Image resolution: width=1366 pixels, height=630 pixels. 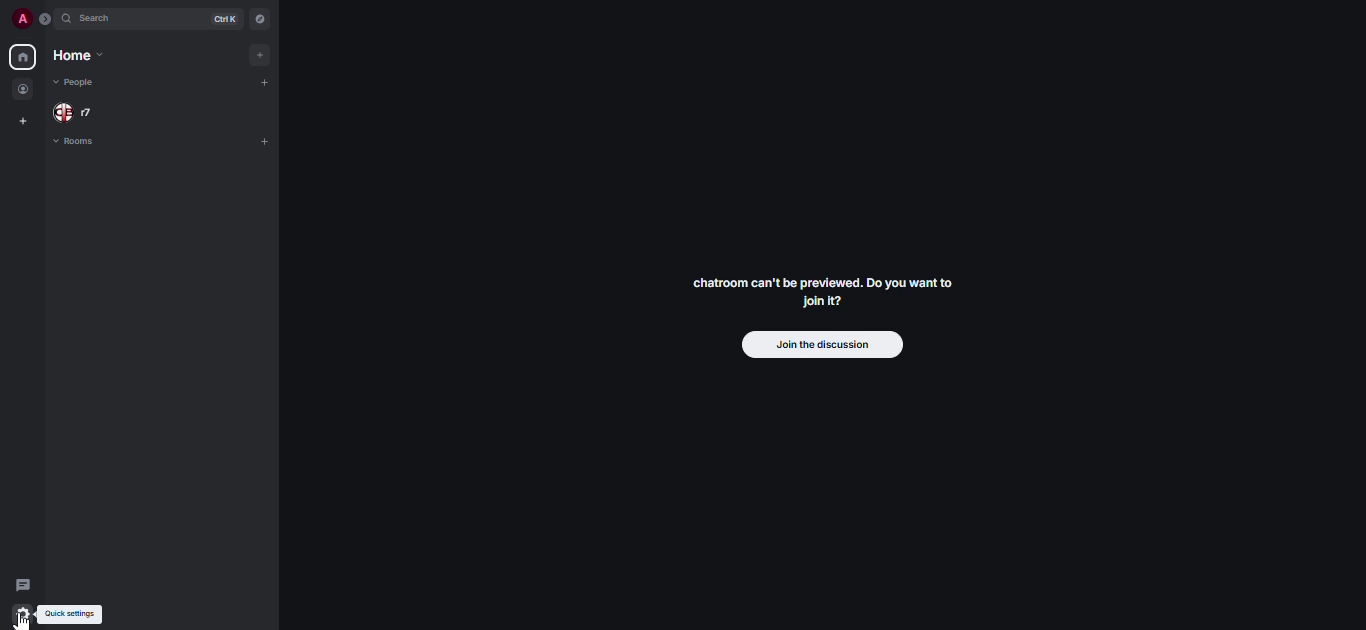 What do you see at coordinates (82, 144) in the screenshot?
I see `rooms` at bounding box center [82, 144].